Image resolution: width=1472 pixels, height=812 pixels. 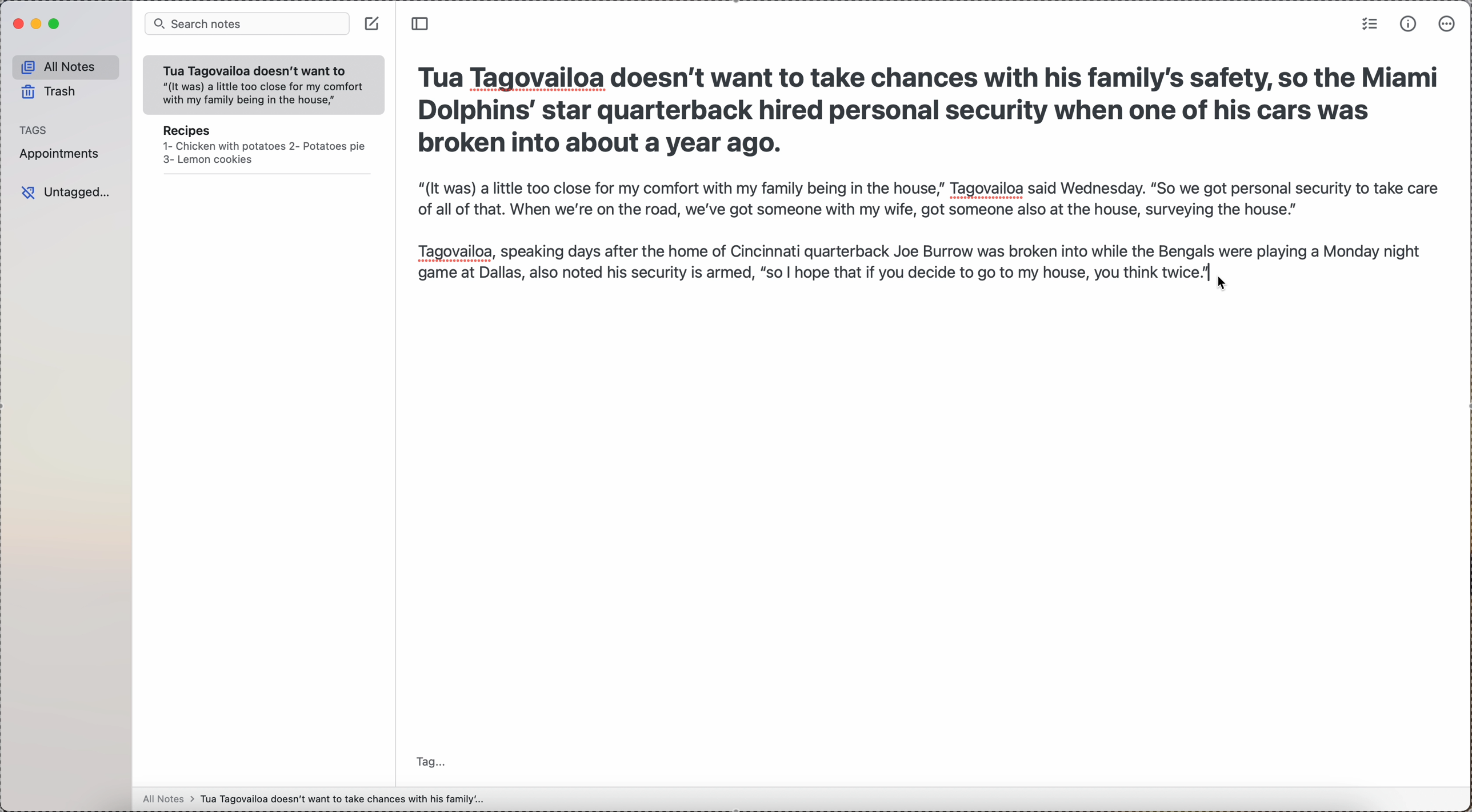 I want to click on appointments, so click(x=65, y=154).